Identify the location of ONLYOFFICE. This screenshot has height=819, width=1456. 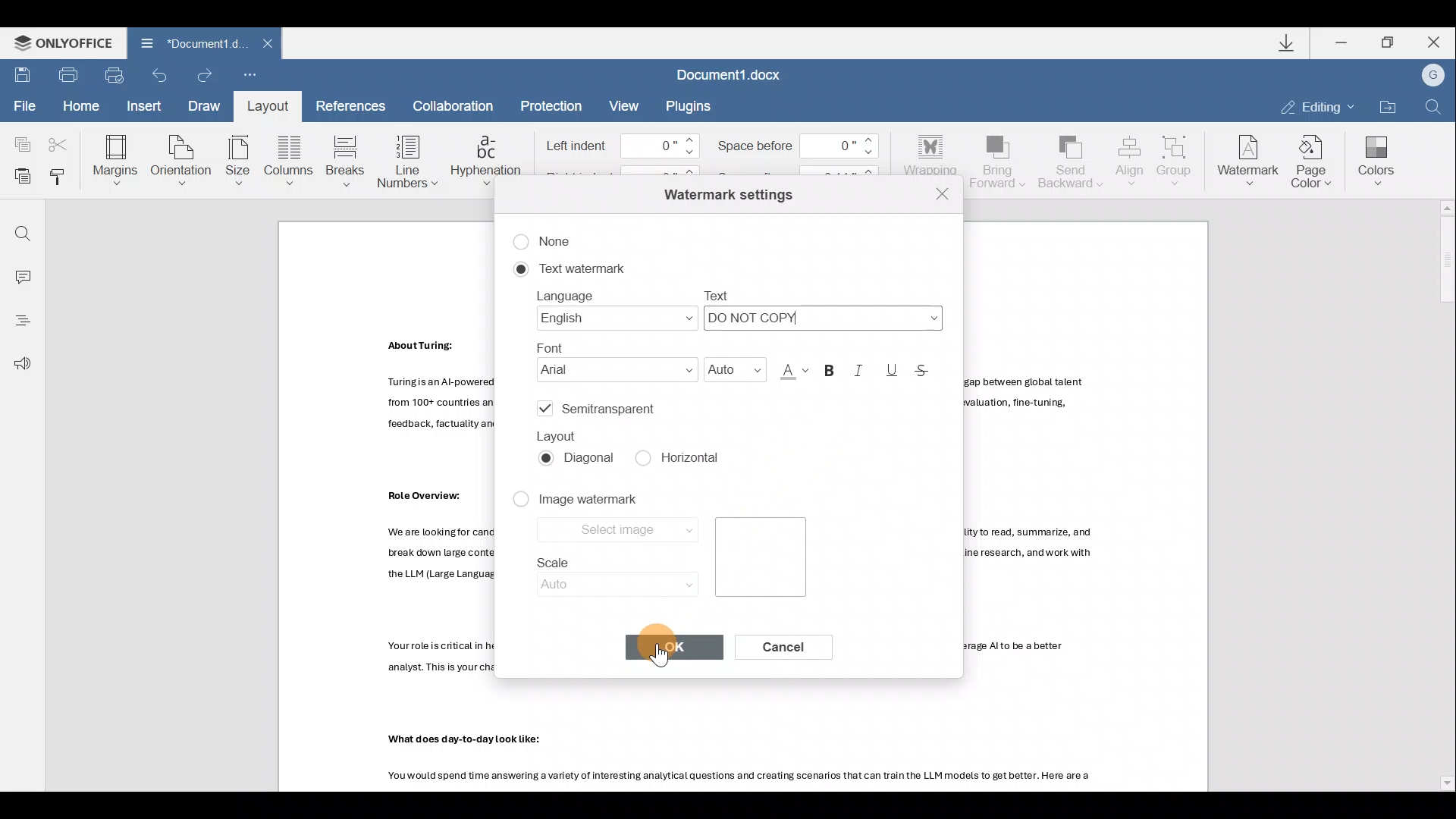
(63, 42).